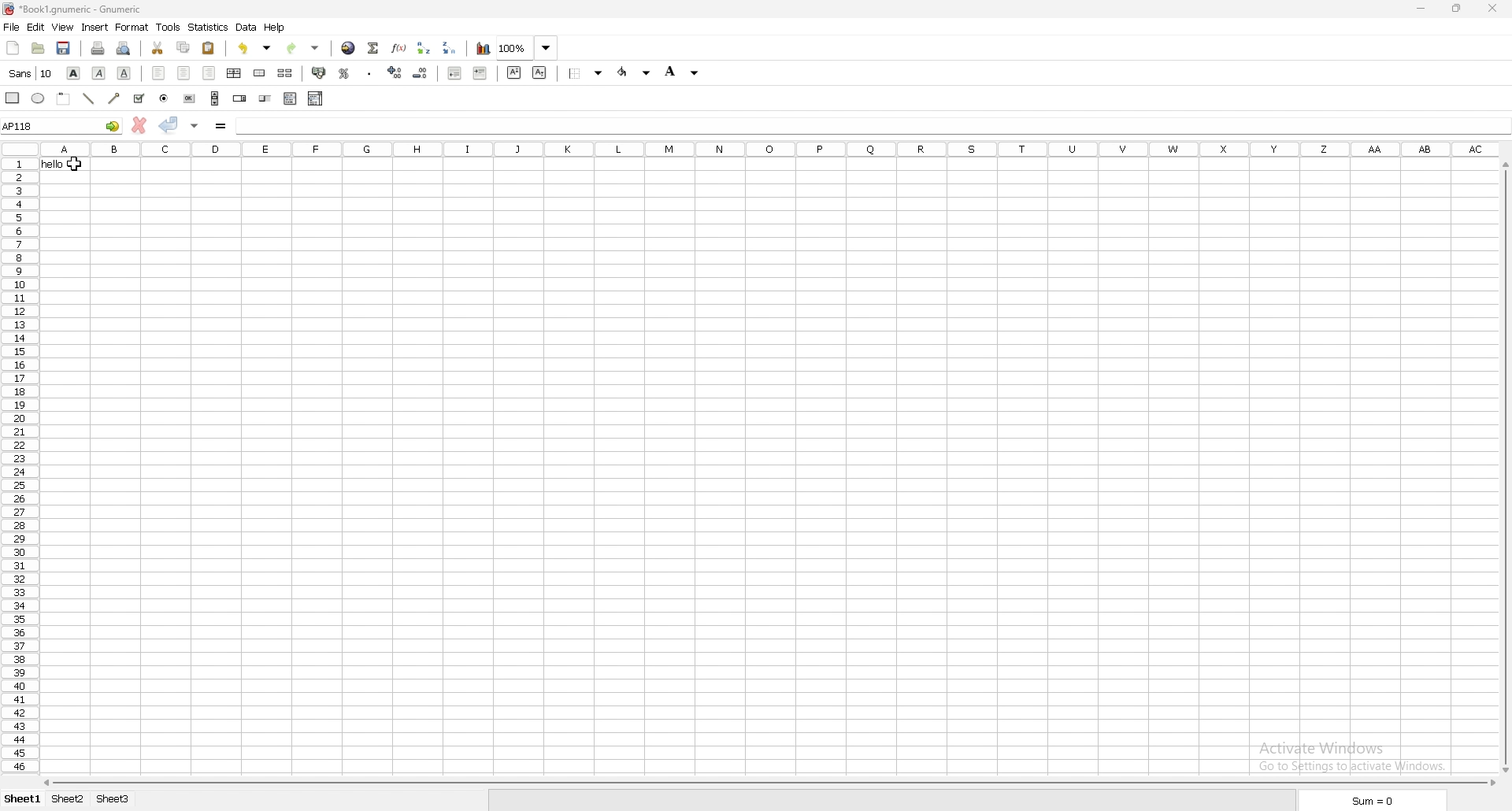  I want to click on slider, so click(266, 98).